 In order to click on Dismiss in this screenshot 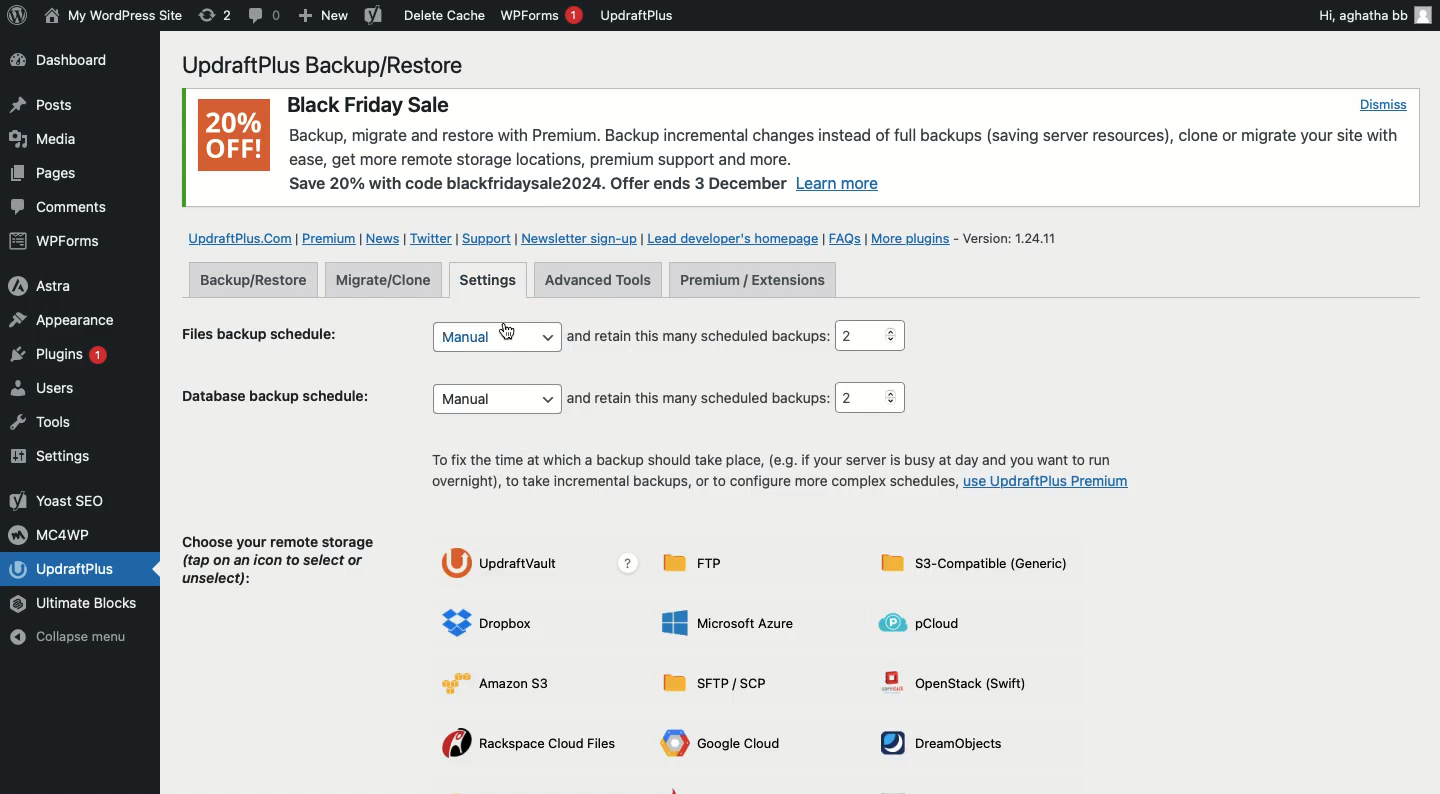, I will do `click(1382, 104)`.